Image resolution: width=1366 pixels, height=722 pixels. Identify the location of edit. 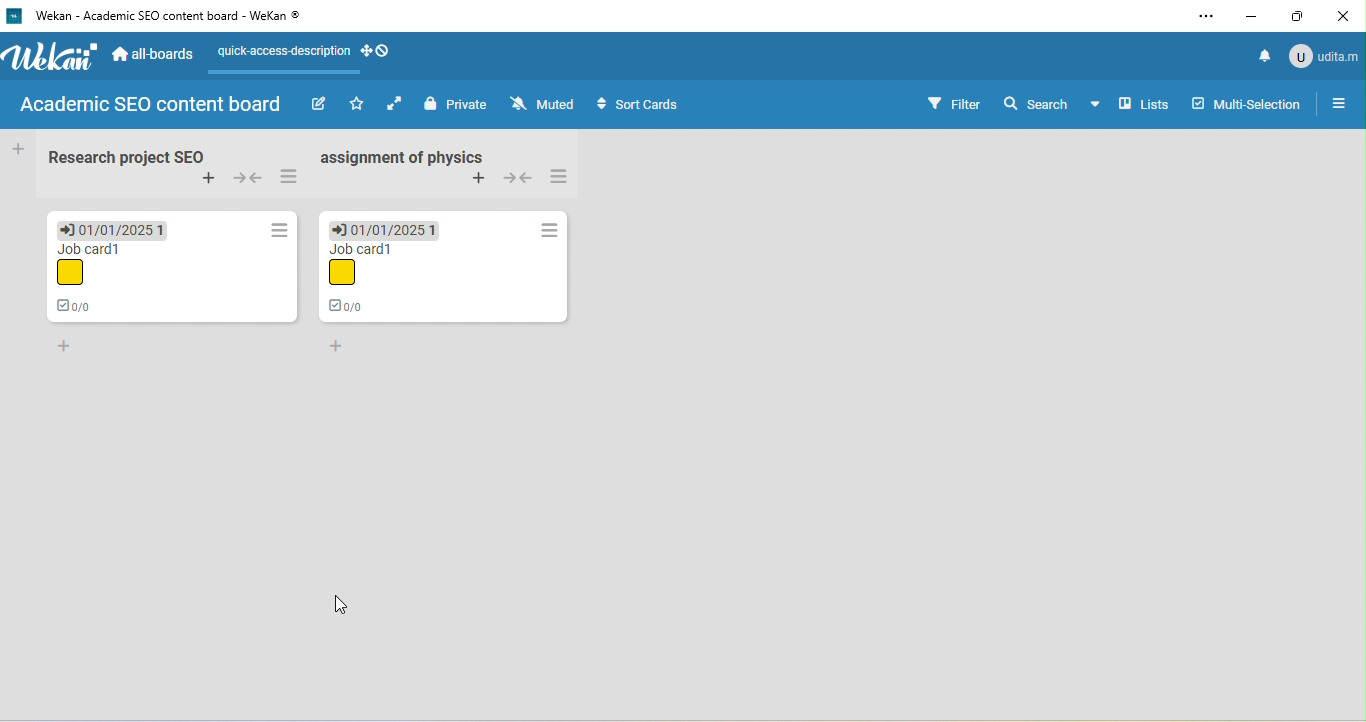
(317, 104).